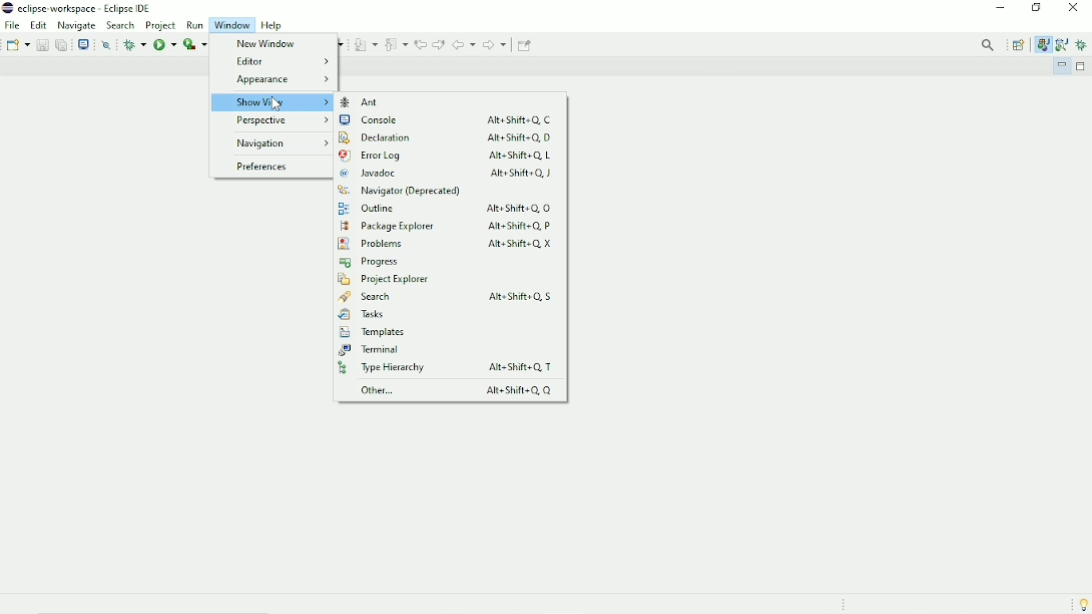  Describe the element at coordinates (1001, 9) in the screenshot. I see `Minimize` at that location.